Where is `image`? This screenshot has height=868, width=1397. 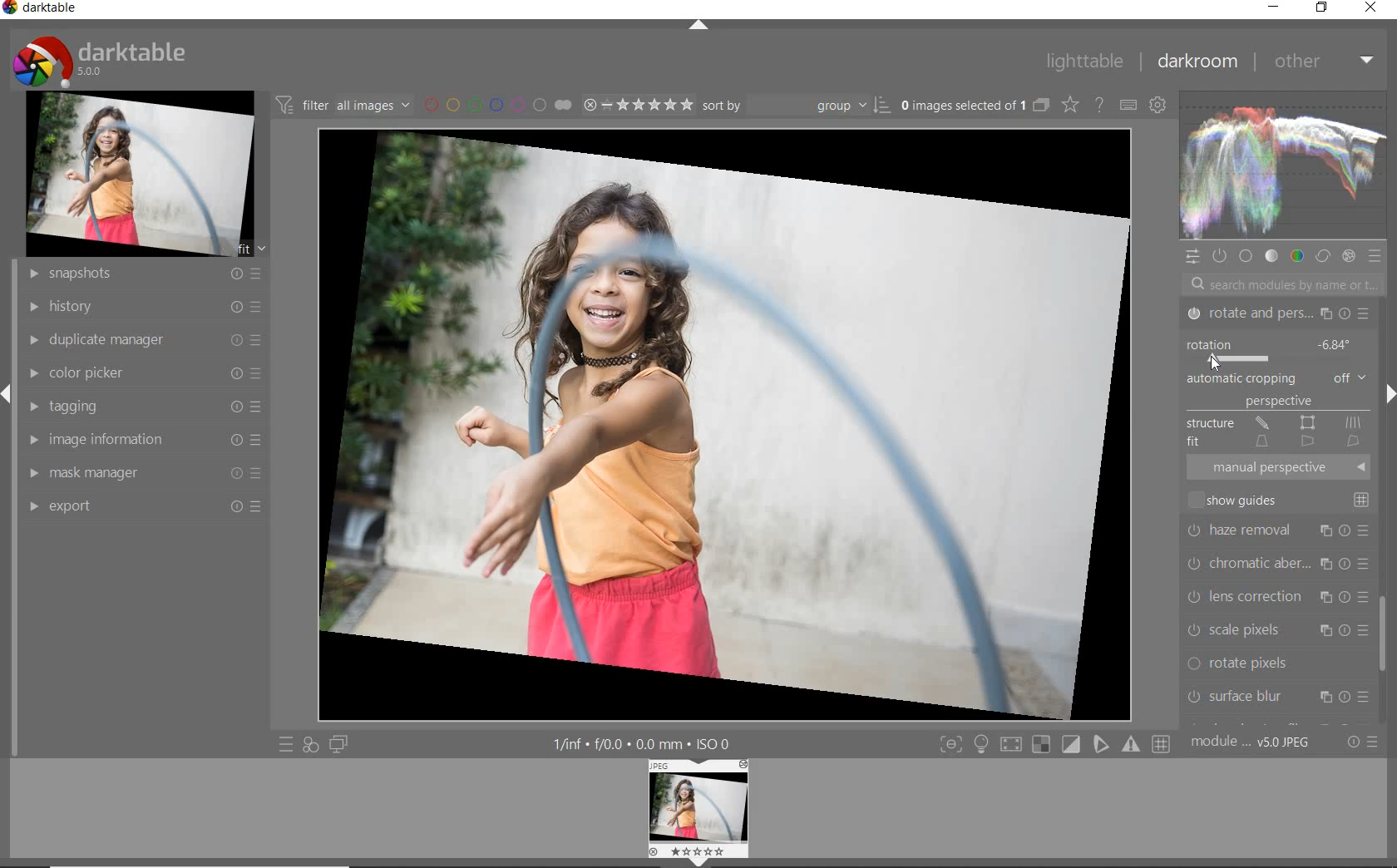 image is located at coordinates (140, 175).